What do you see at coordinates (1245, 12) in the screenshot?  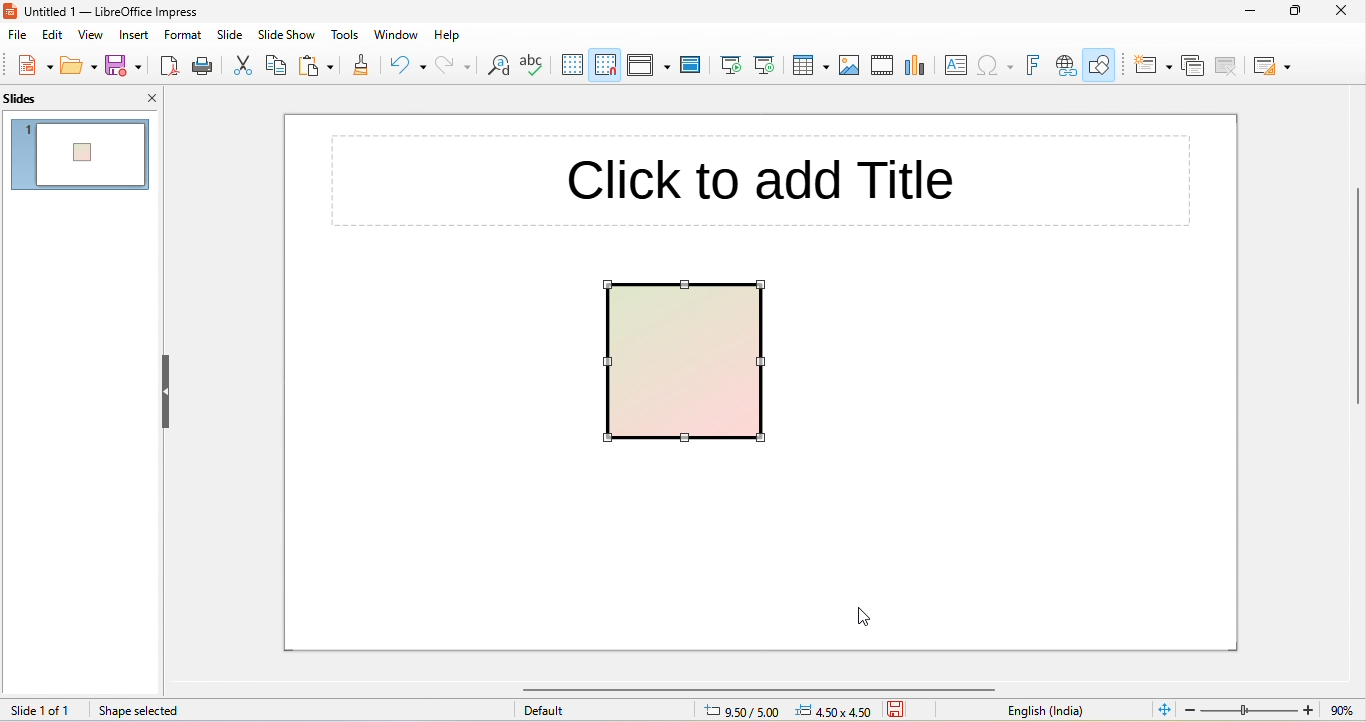 I see `minimize` at bounding box center [1245, 12].